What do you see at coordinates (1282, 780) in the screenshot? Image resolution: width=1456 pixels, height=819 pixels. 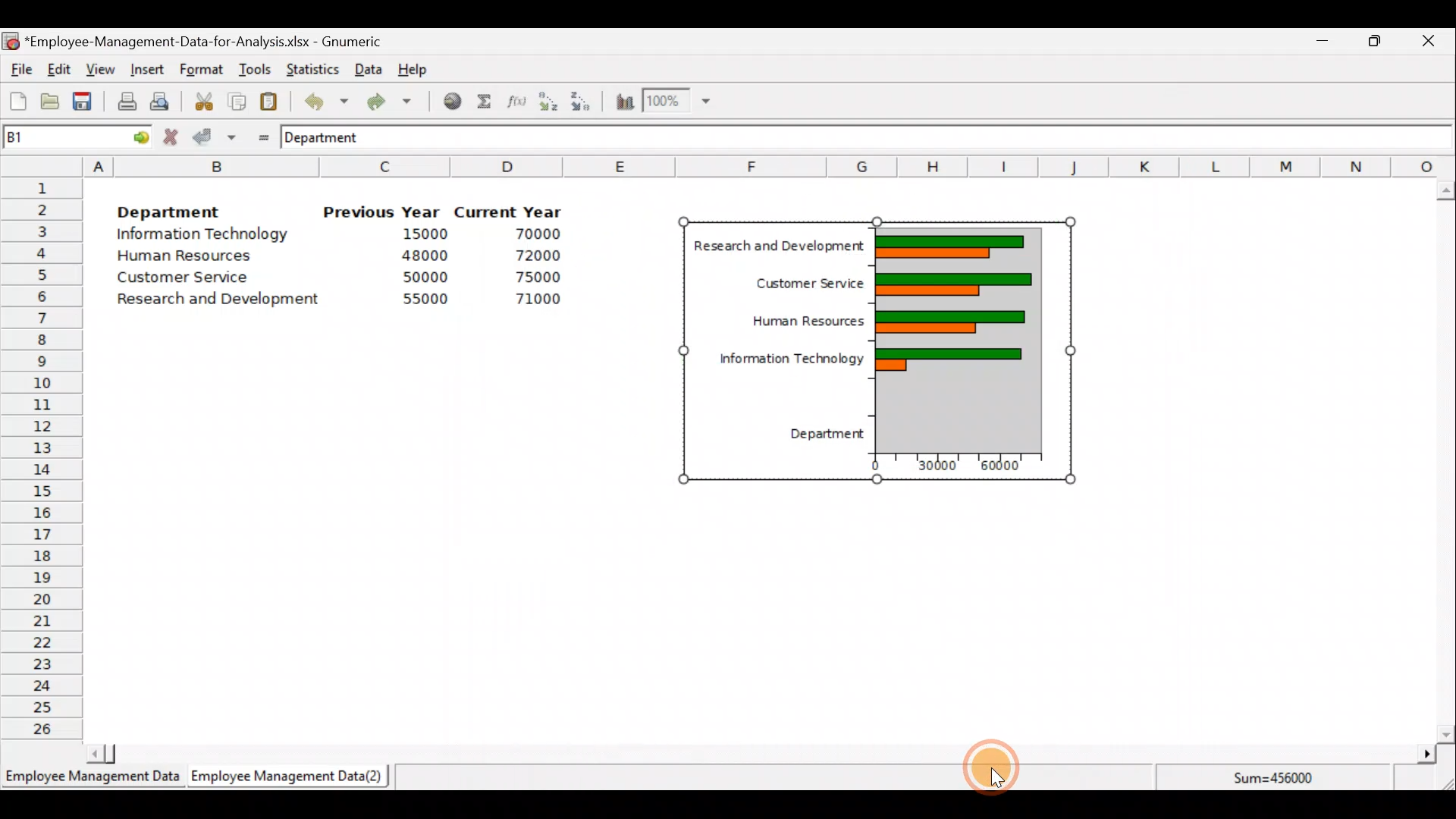 I see `Sum=456000` at bounding box center [1282, 780].